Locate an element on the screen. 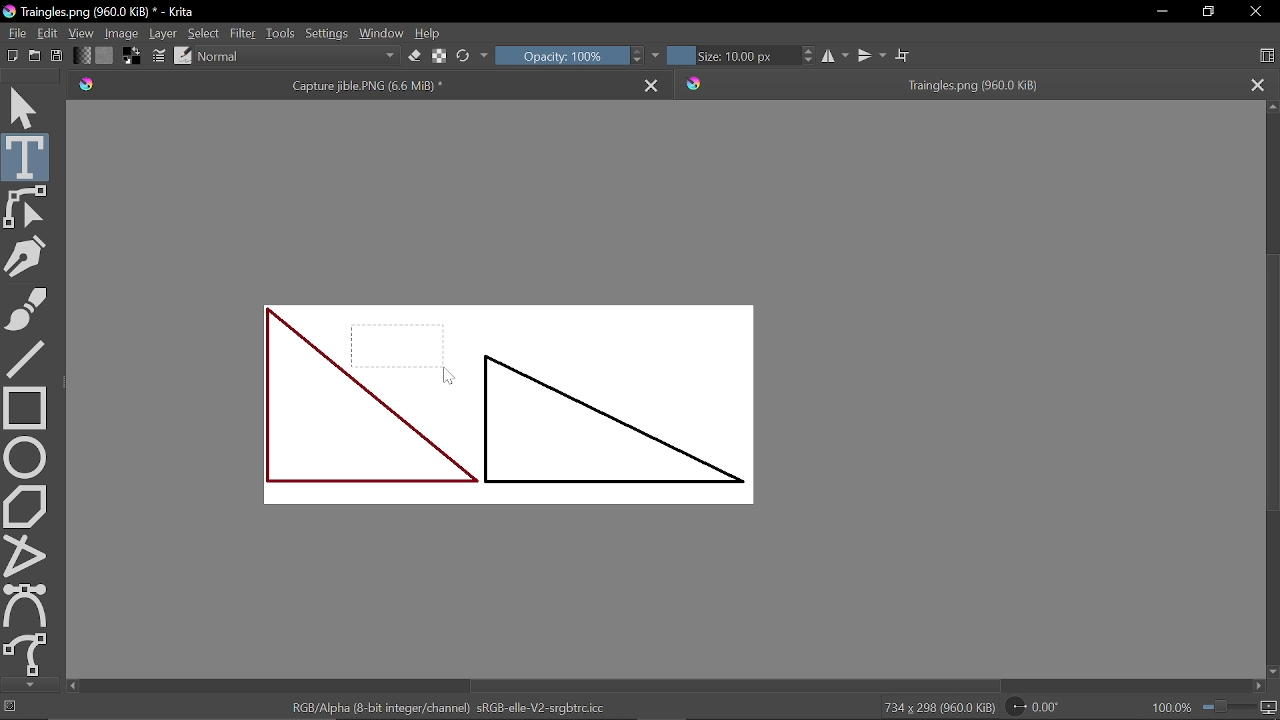 The image size is (1280, 720). View is located at coordinates (80, 33).